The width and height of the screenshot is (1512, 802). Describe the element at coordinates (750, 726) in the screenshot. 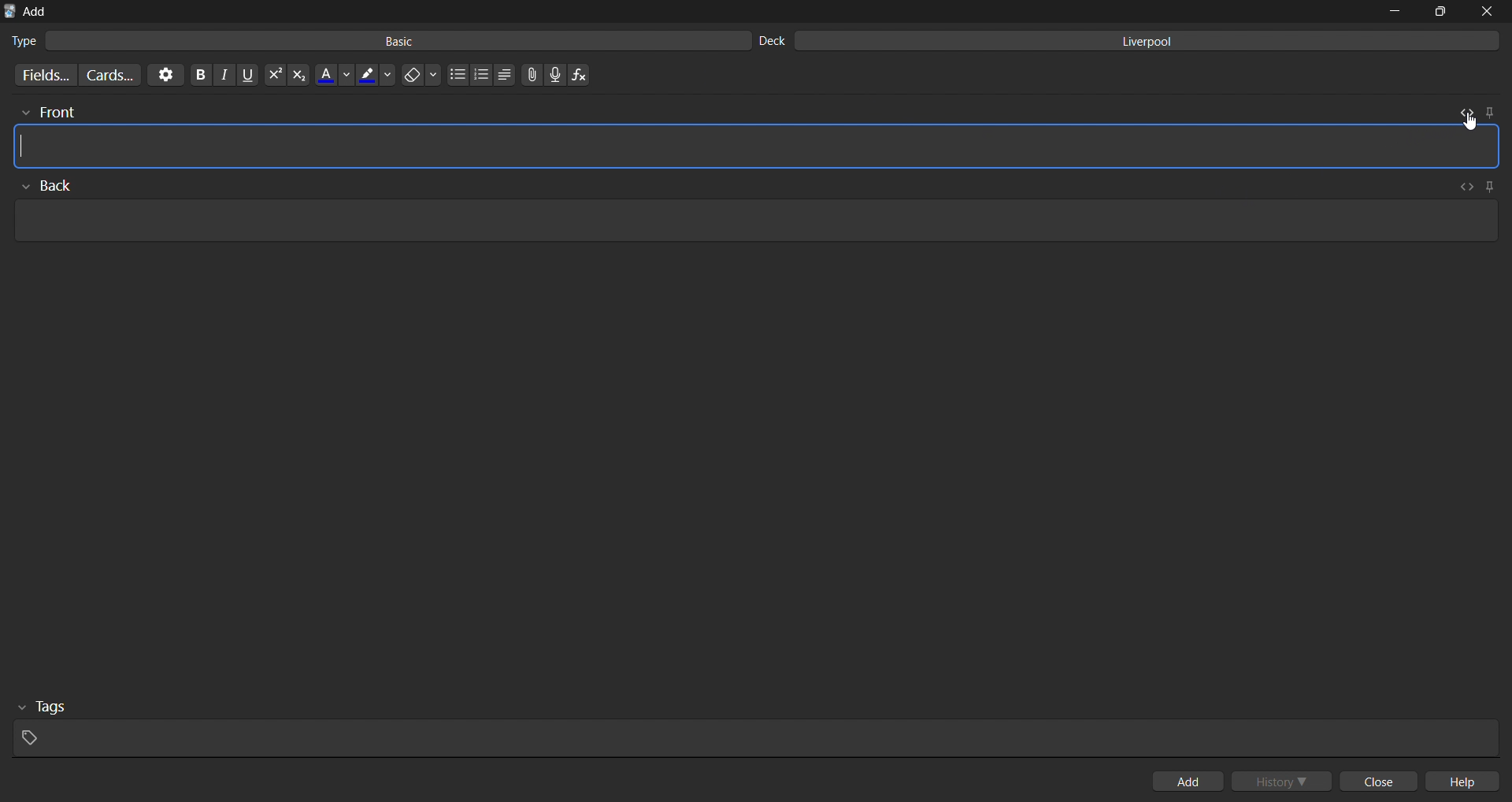

I see `tags input field` at that location.